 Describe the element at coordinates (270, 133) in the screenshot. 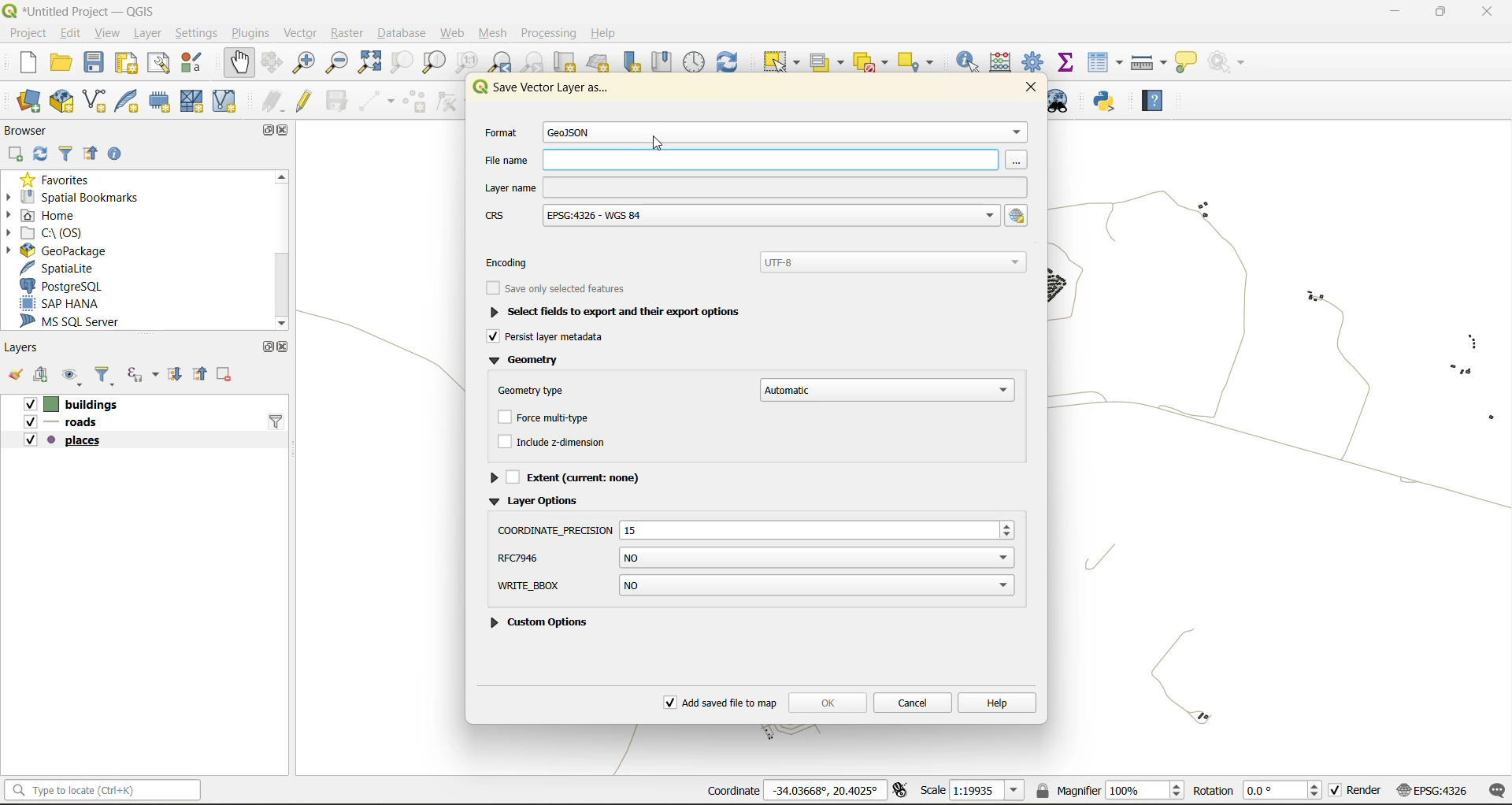

I see `maximize` at that location.